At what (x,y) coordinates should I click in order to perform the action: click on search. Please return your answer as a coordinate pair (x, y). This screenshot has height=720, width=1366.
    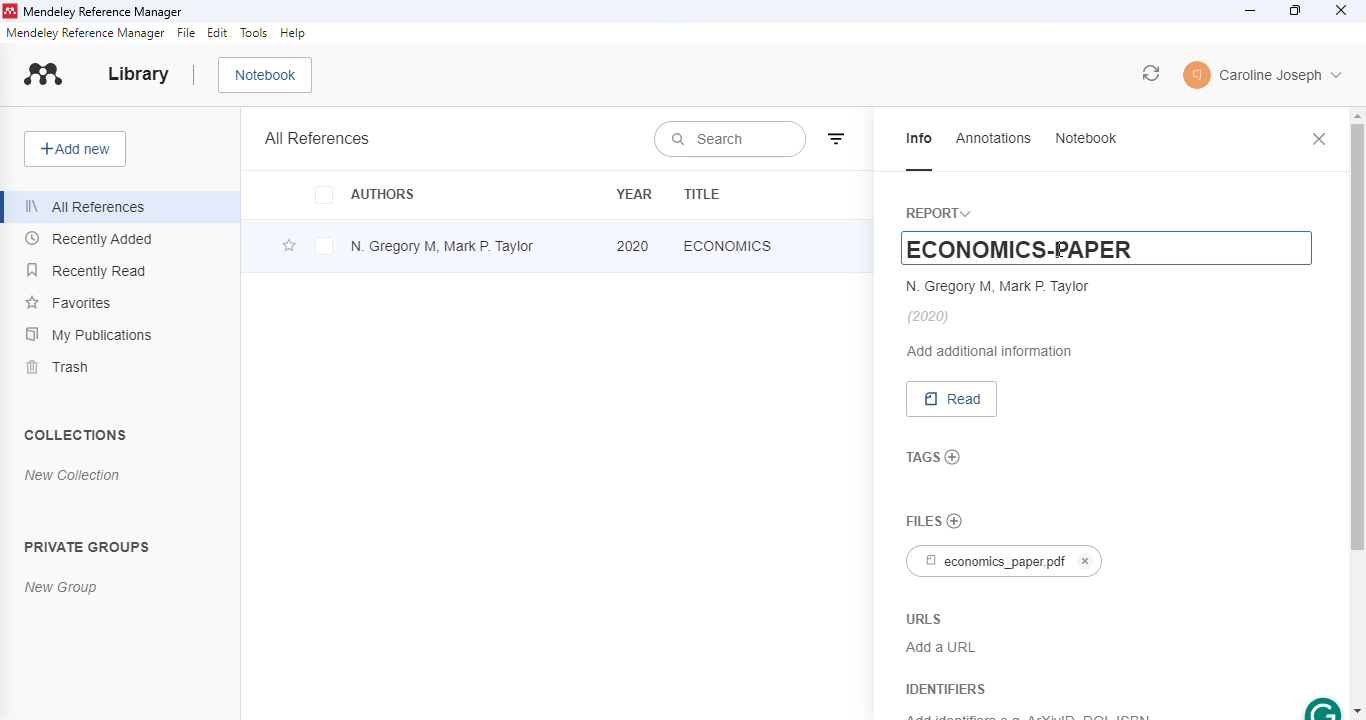
    Looking at the image, I should click on (729, 139).